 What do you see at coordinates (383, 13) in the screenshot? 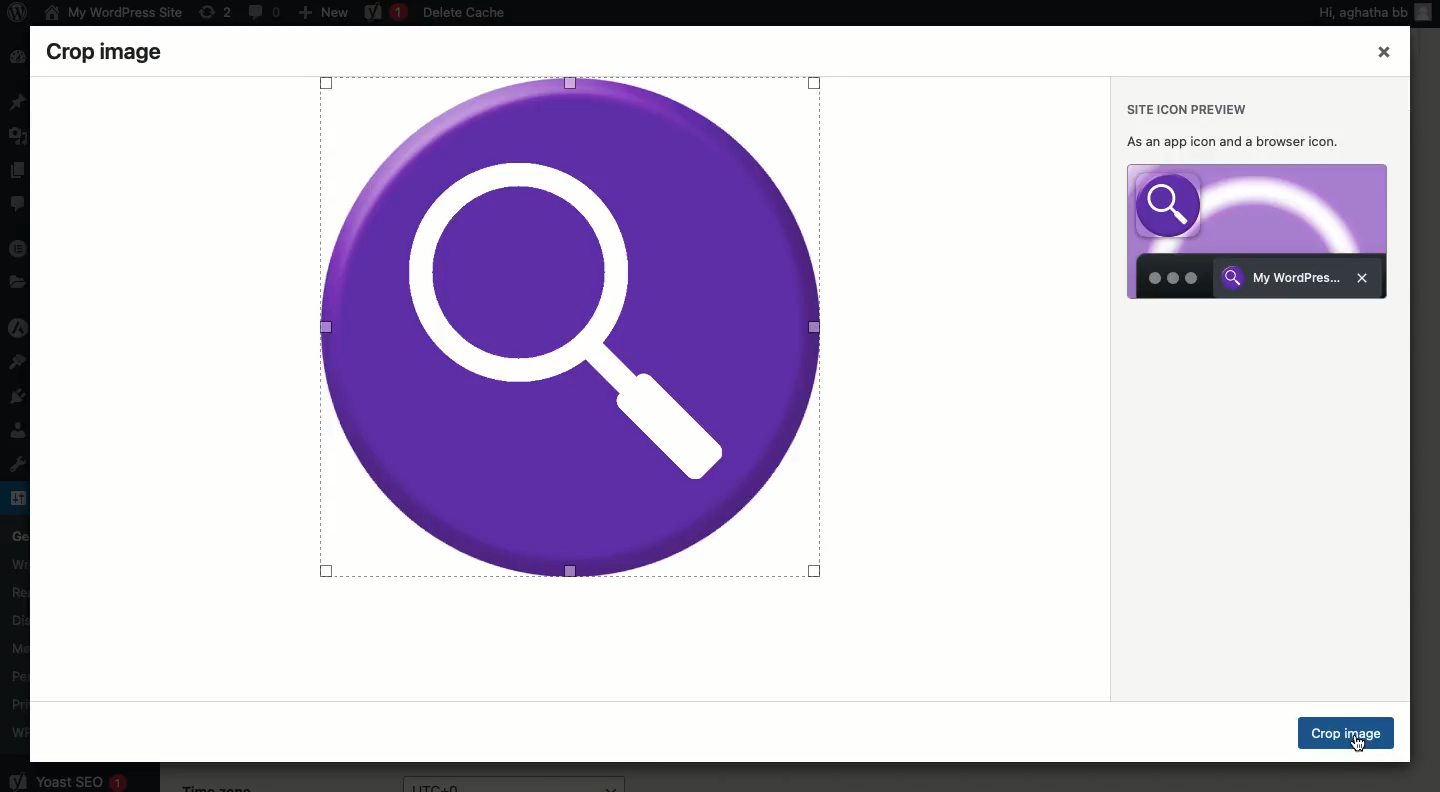
I see `Yoast 1` at bounding box center [383, 13].